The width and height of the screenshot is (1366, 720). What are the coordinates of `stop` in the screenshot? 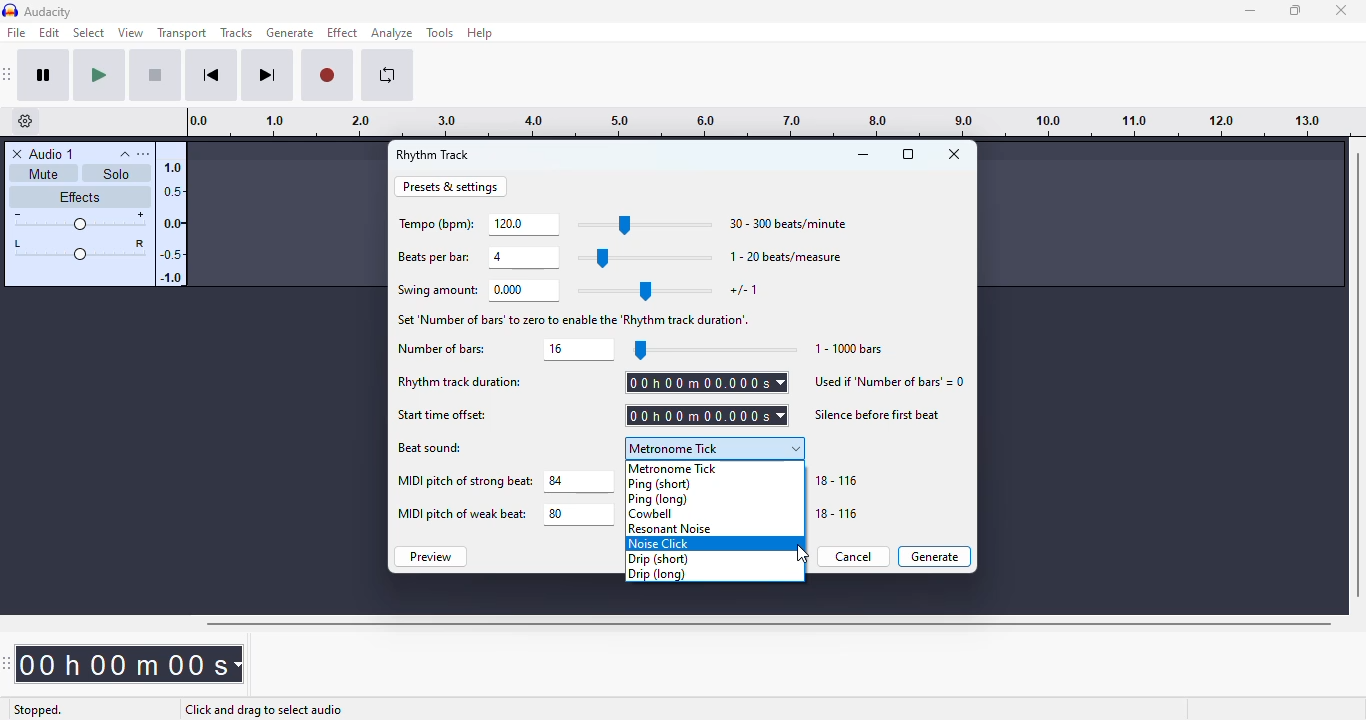 It's located at (155, 75).